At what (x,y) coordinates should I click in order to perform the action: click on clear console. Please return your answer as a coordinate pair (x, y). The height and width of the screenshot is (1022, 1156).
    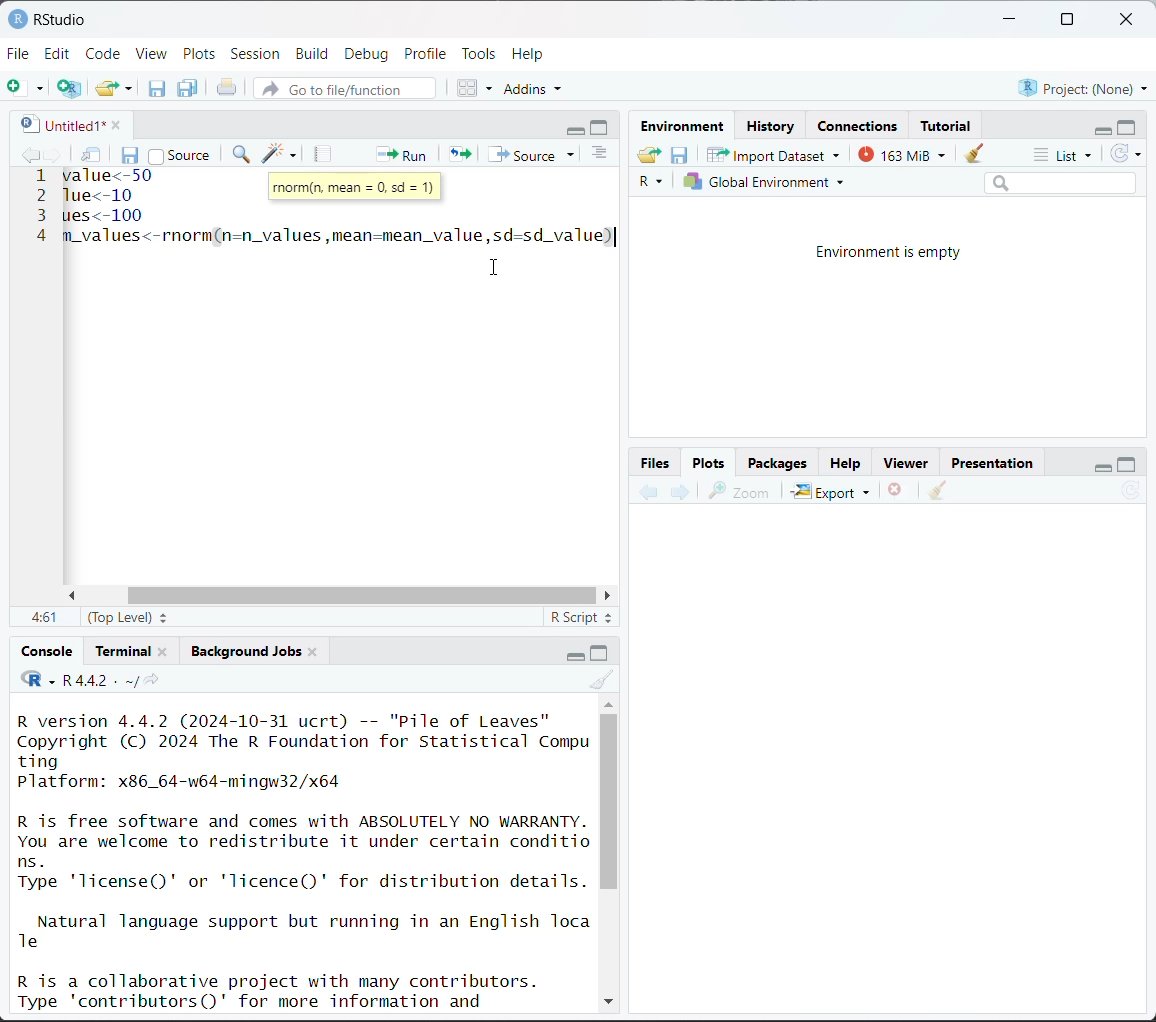
    Looking at the image, I should click on (604, 680).